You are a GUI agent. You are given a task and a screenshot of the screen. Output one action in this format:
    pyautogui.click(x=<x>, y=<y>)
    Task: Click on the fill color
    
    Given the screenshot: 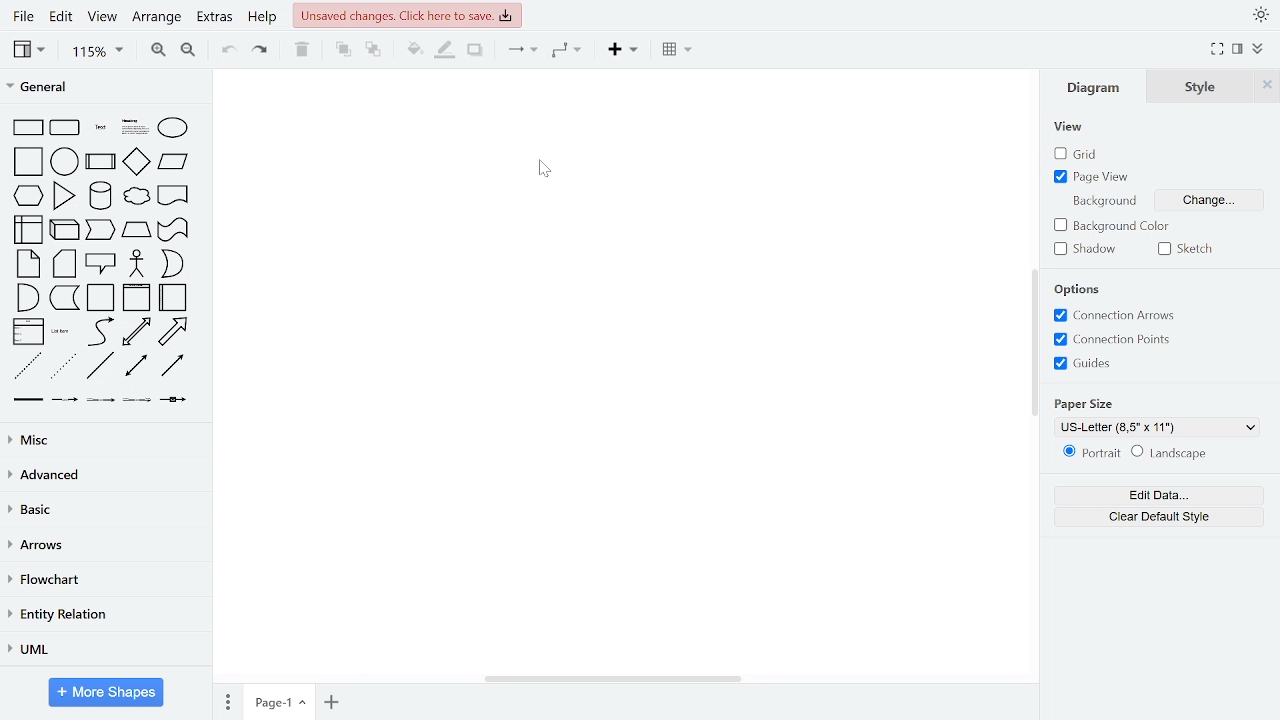 What is the action you would take?
    pyautogui.click(x=414, y=50)
    